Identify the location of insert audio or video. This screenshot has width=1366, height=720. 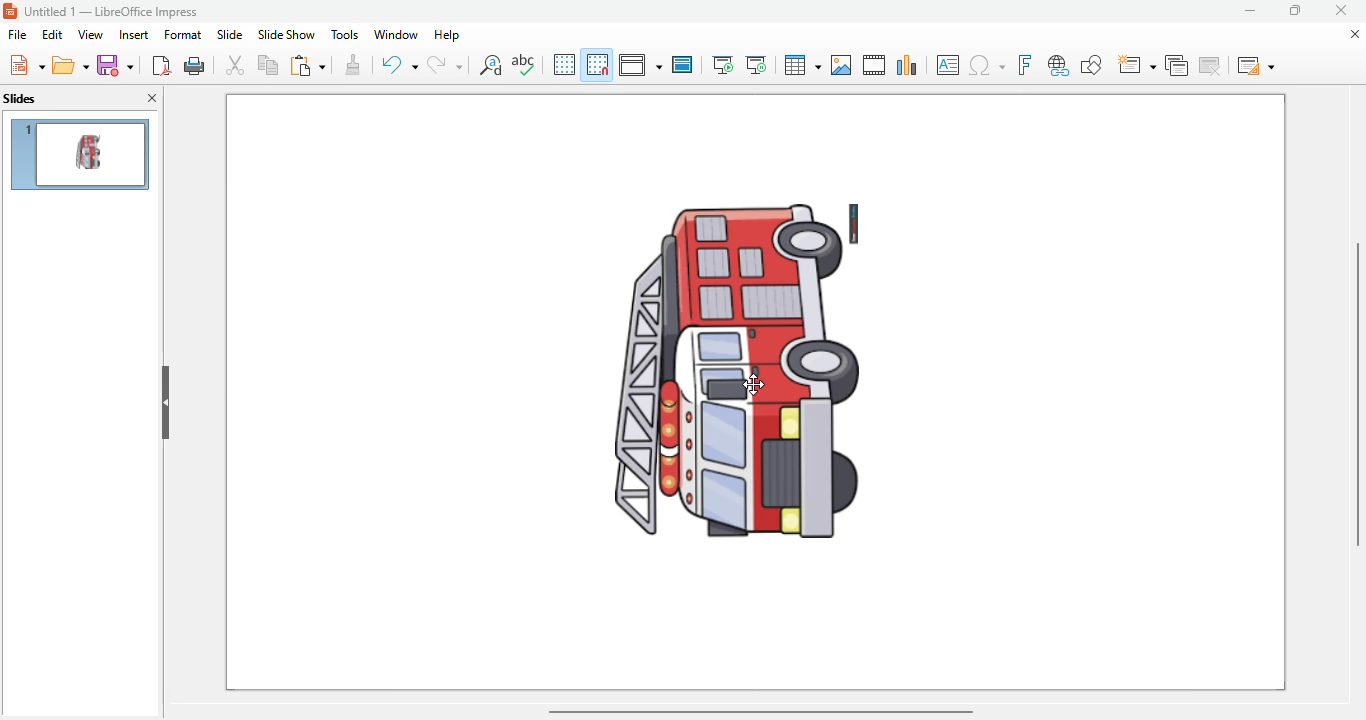
(874, 65).